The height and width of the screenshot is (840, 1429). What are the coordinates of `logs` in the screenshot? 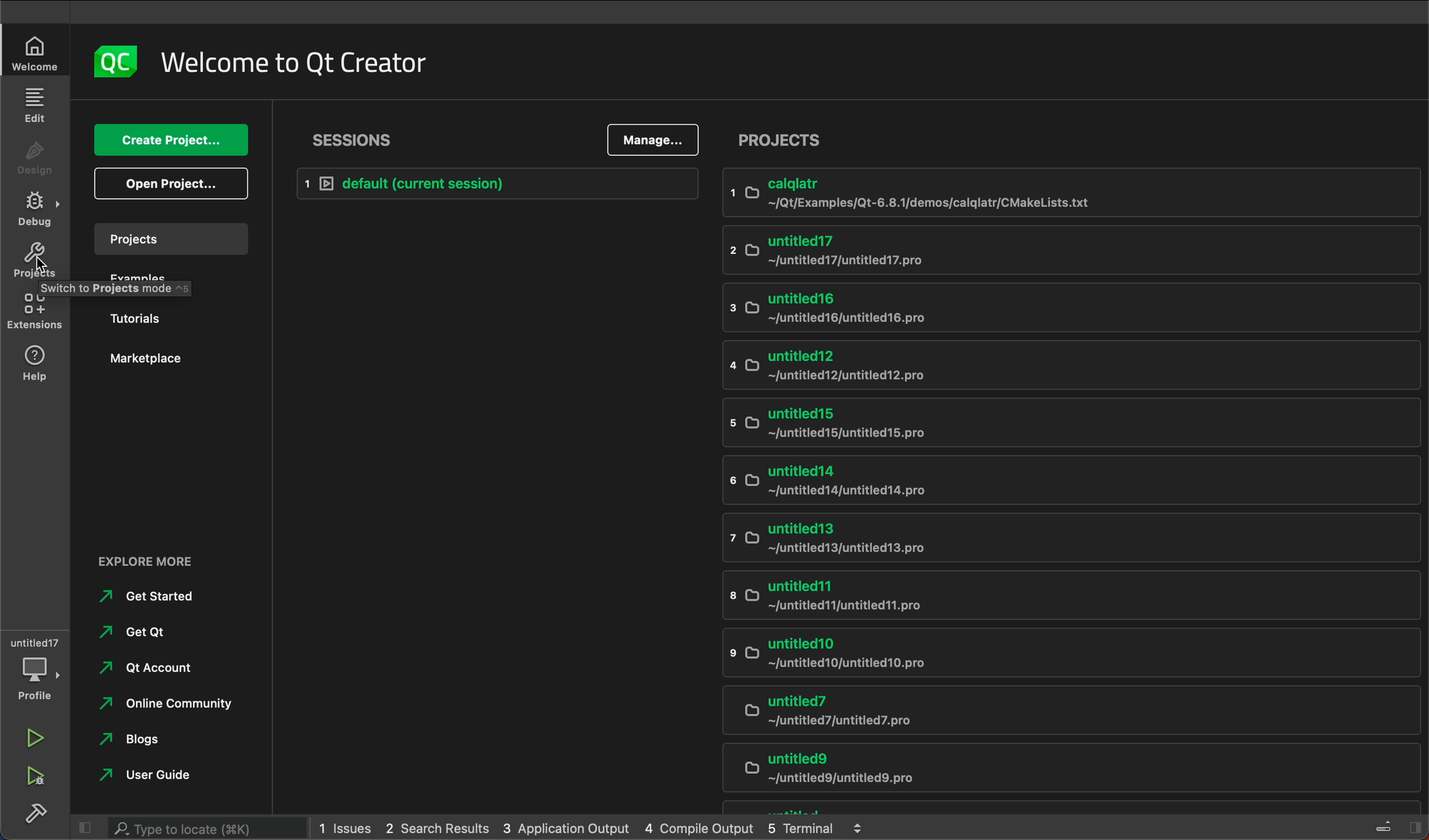 It's located at (608, 827).